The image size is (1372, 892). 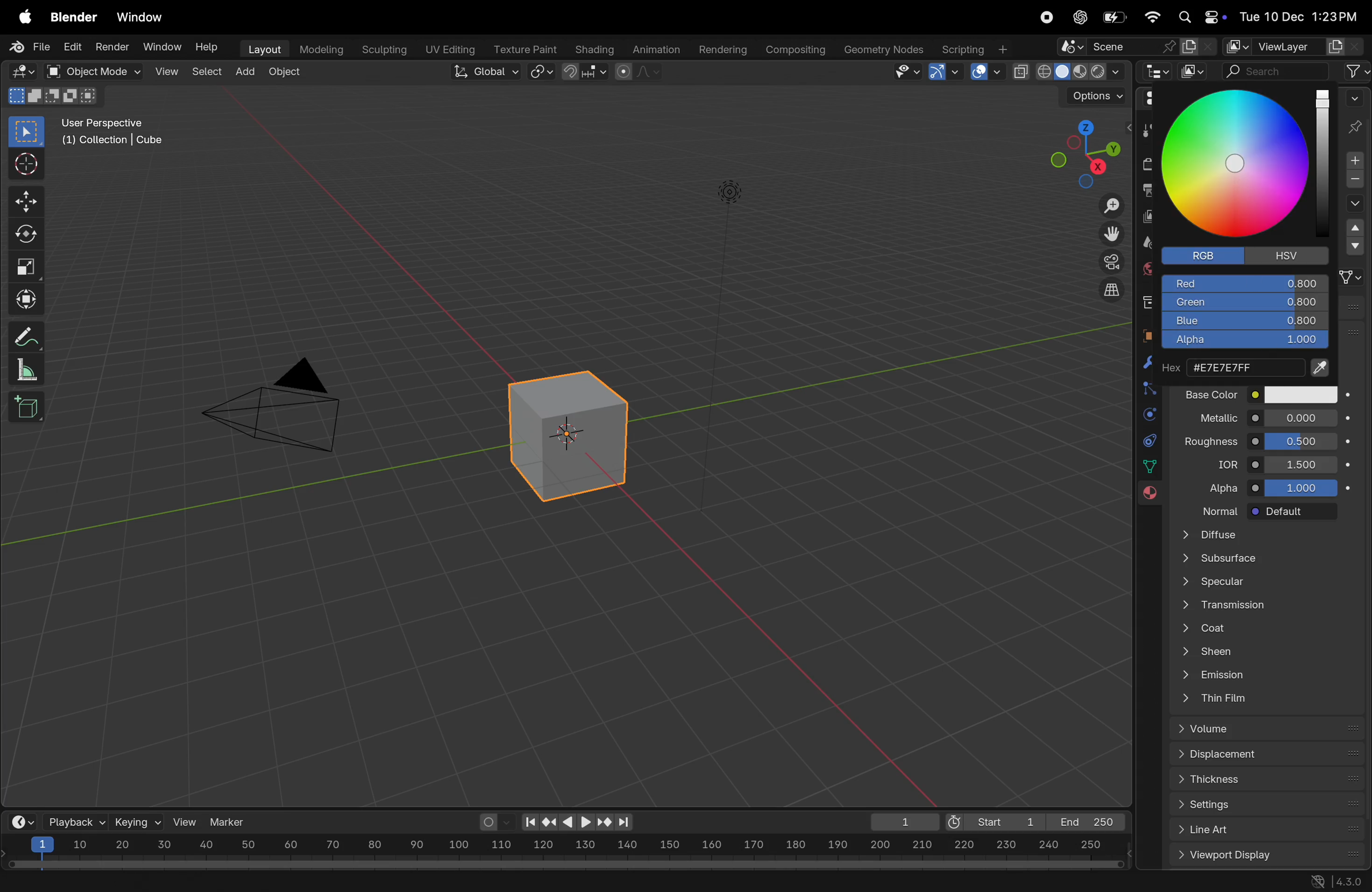 What do you see at coordinates (1245, 303) in the screenshot?
I see `Green` at bounding box center [1245, 303].